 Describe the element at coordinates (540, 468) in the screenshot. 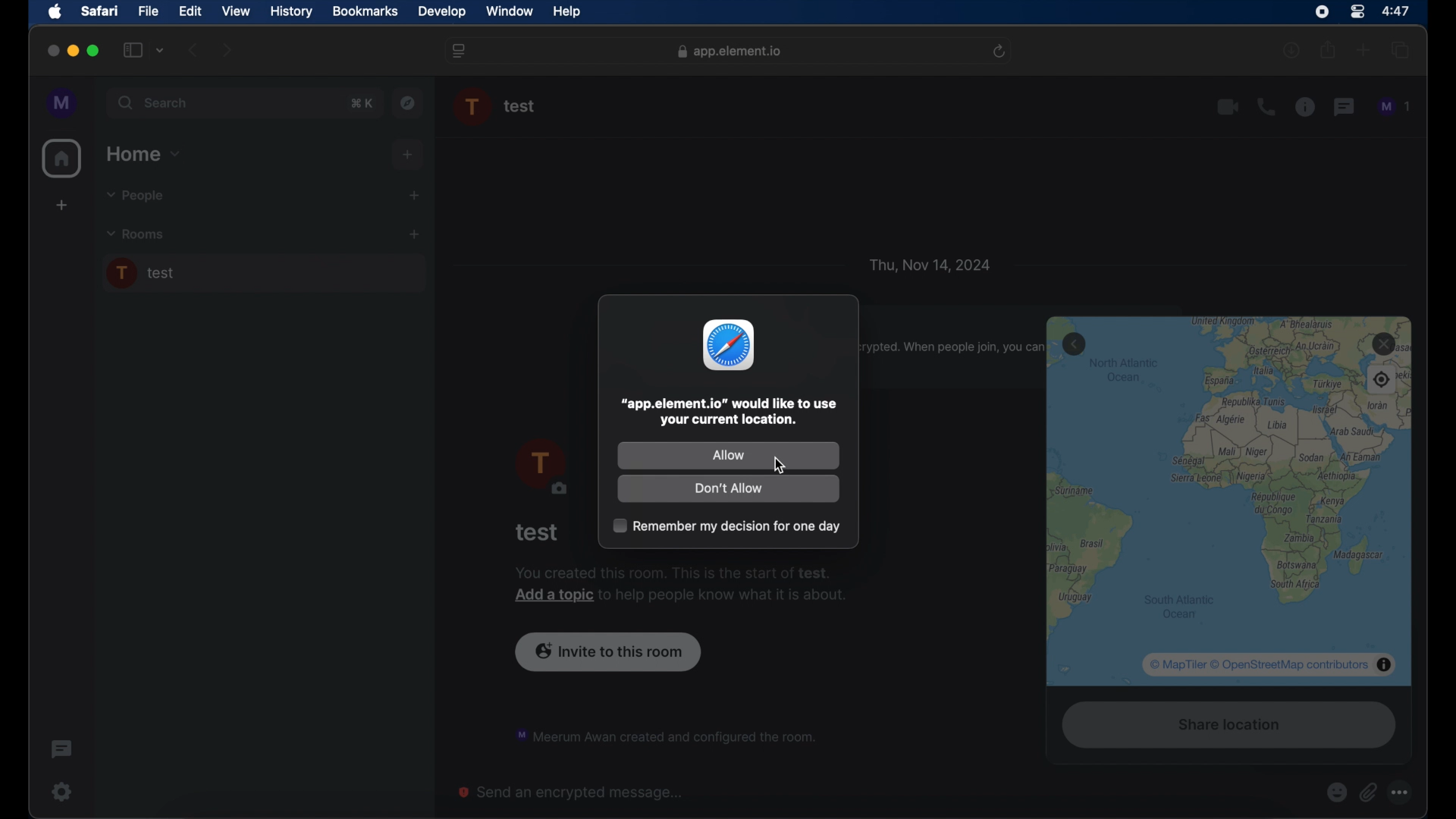

I see `profile picture` at that location.